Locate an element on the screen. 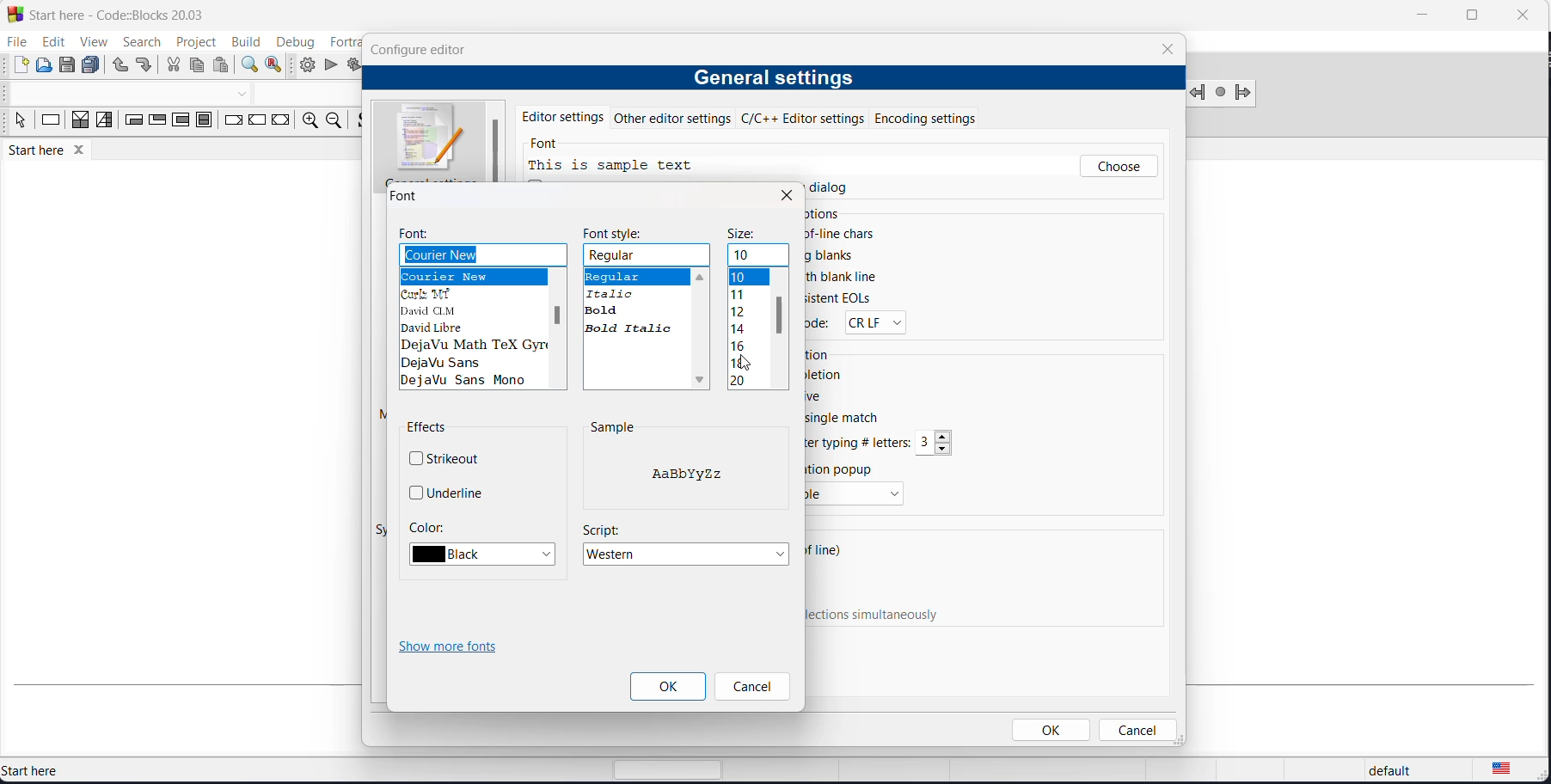 The image size is (1551, 784). entry condition loop is located at coordinates (128, 123).